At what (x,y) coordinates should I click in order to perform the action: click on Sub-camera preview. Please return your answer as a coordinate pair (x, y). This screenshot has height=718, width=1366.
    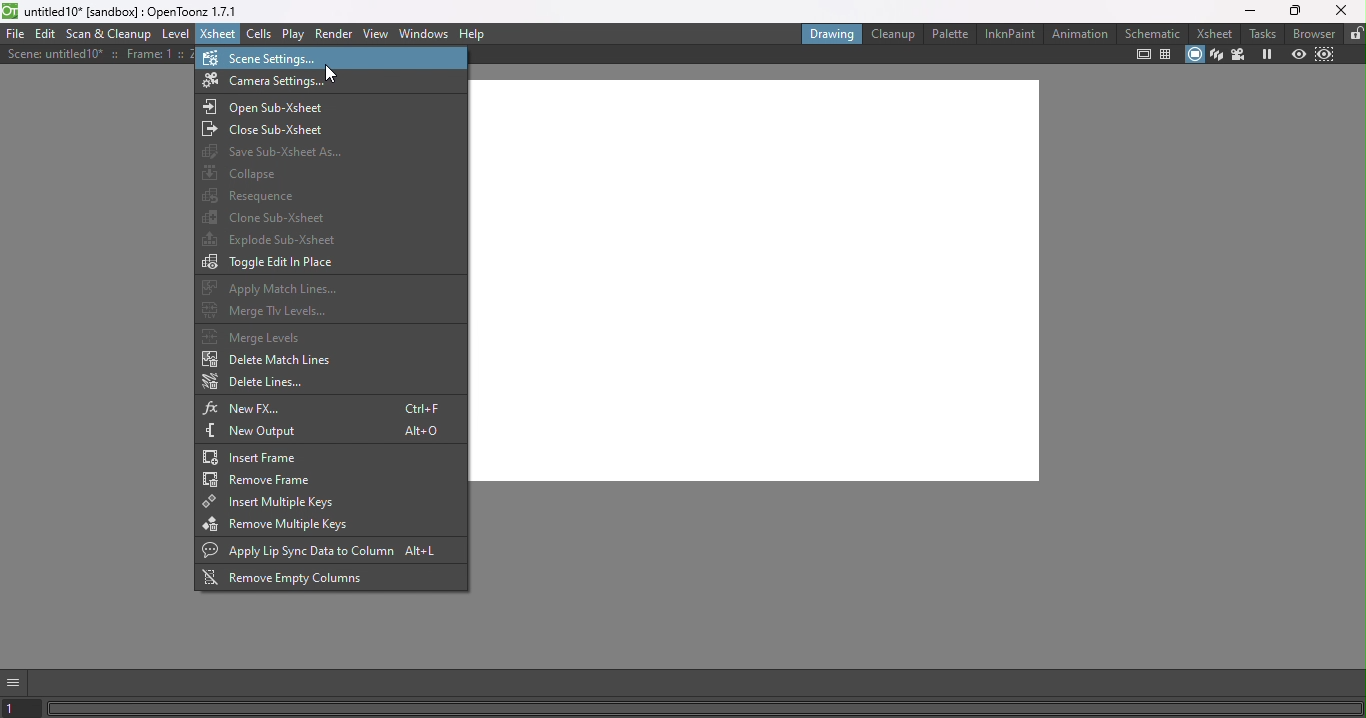
    Looking at the image, I should click on (1326, 53).